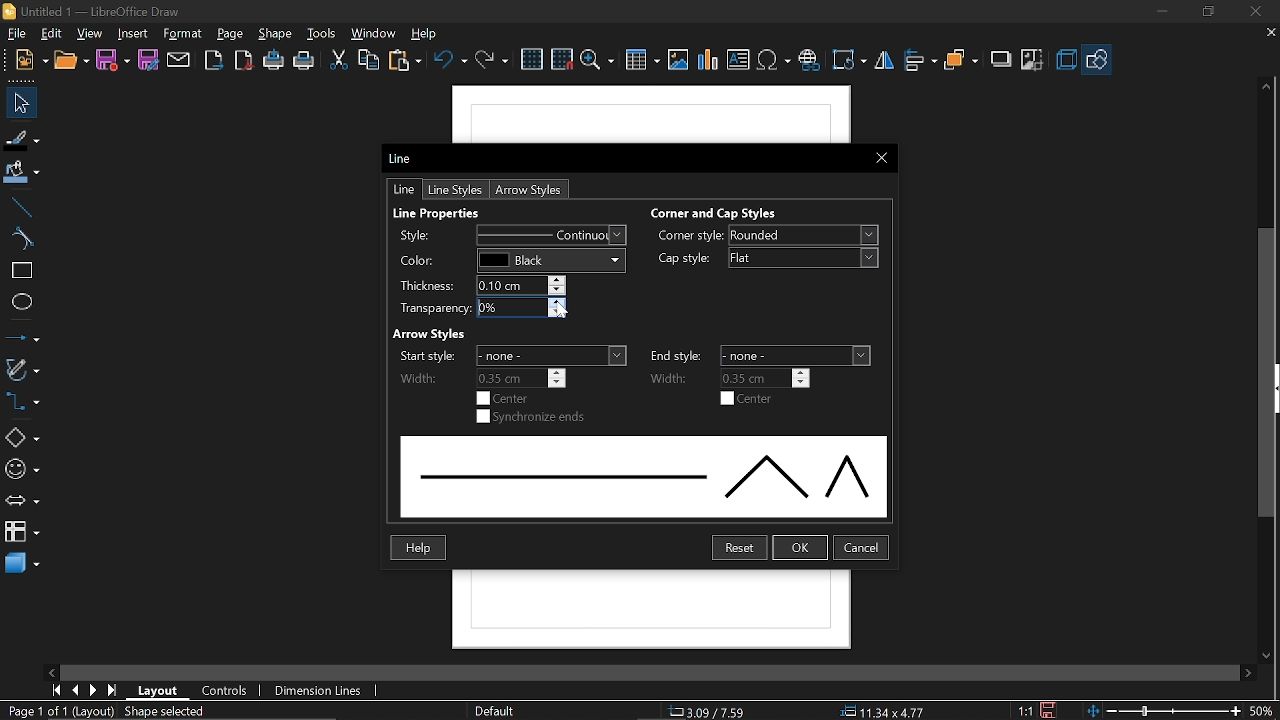 The width and height of the screenshot is (1280, 720). Describe the element at coordinates (53, 34) in the screenshot. I see `edit` at that location.